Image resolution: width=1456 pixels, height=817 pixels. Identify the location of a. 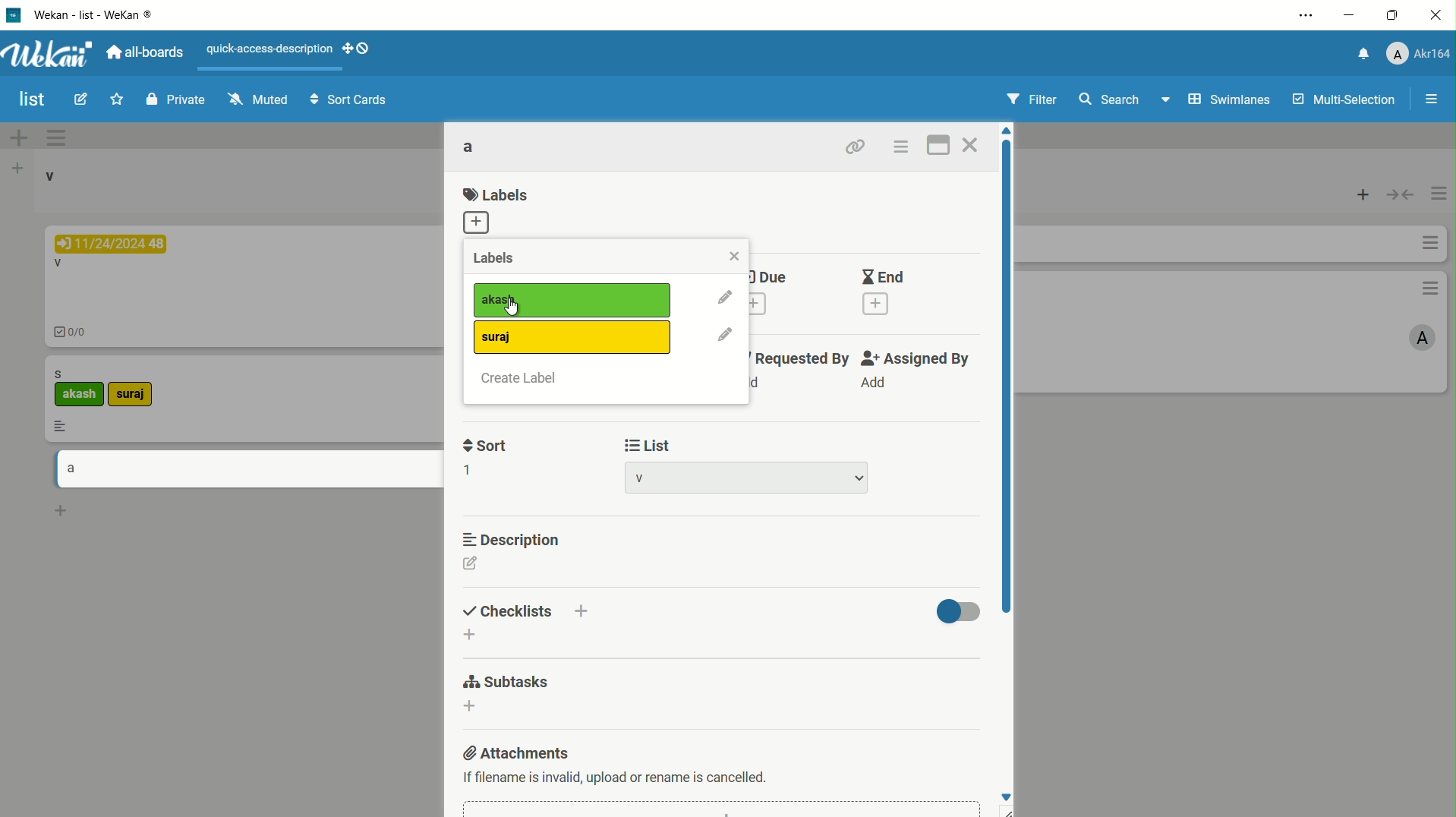
(71, 466).